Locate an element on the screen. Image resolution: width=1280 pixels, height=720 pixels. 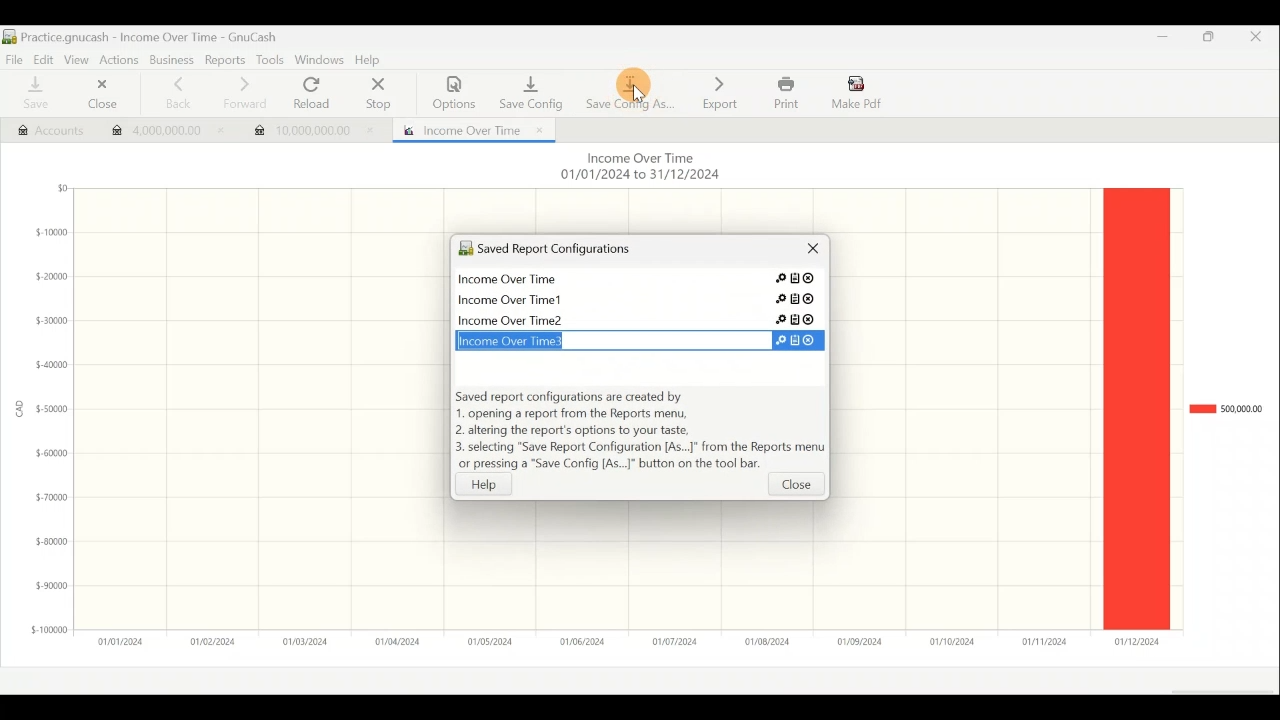
Save is located at coordinates (33, 94).